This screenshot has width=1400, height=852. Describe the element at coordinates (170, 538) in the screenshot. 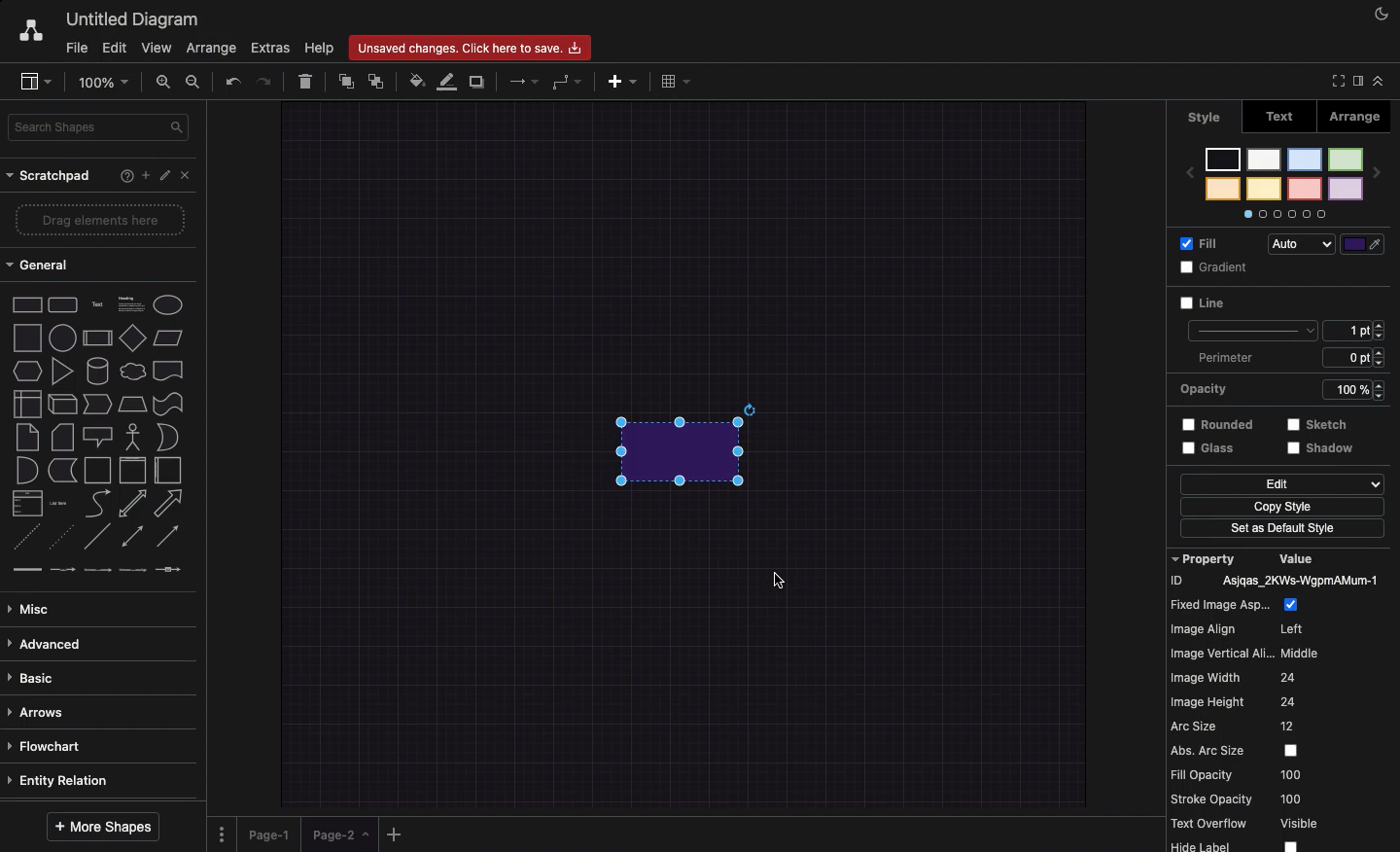

I see `directional connector` at that location.